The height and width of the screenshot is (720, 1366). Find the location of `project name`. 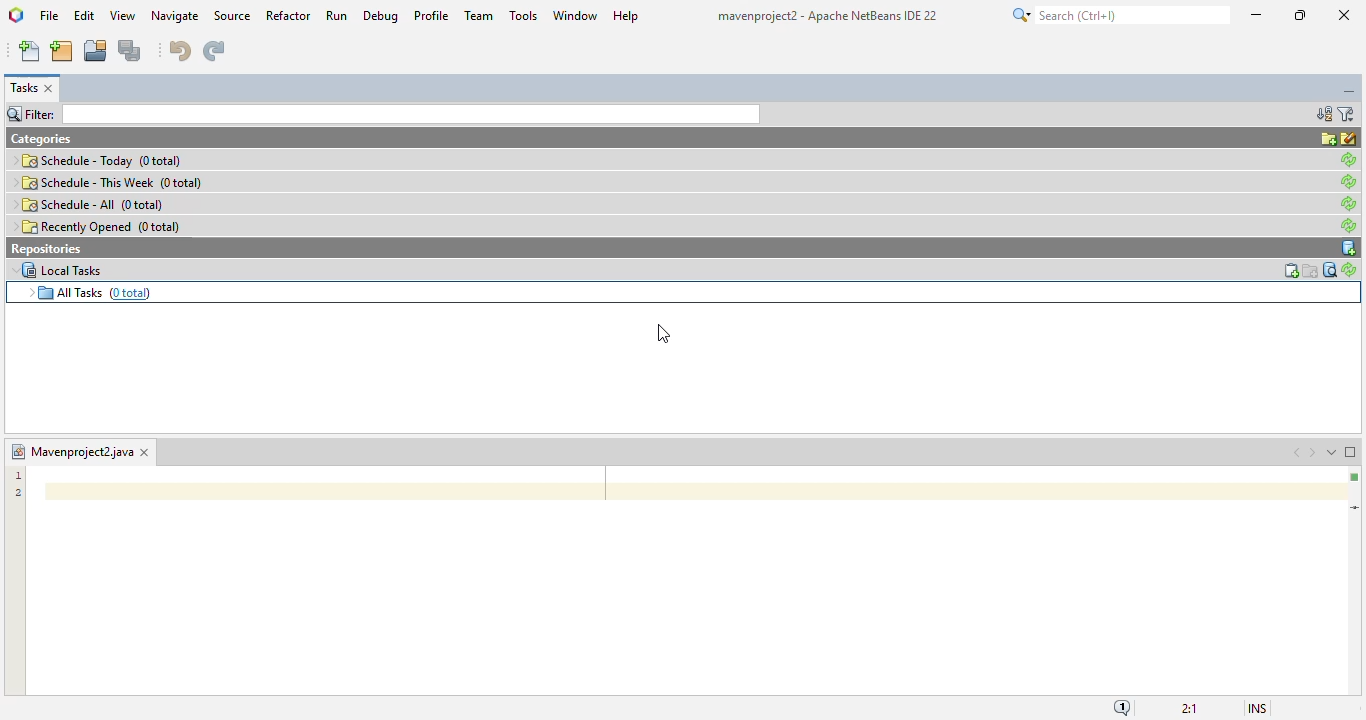

project name is located at coordinates (71, 451).